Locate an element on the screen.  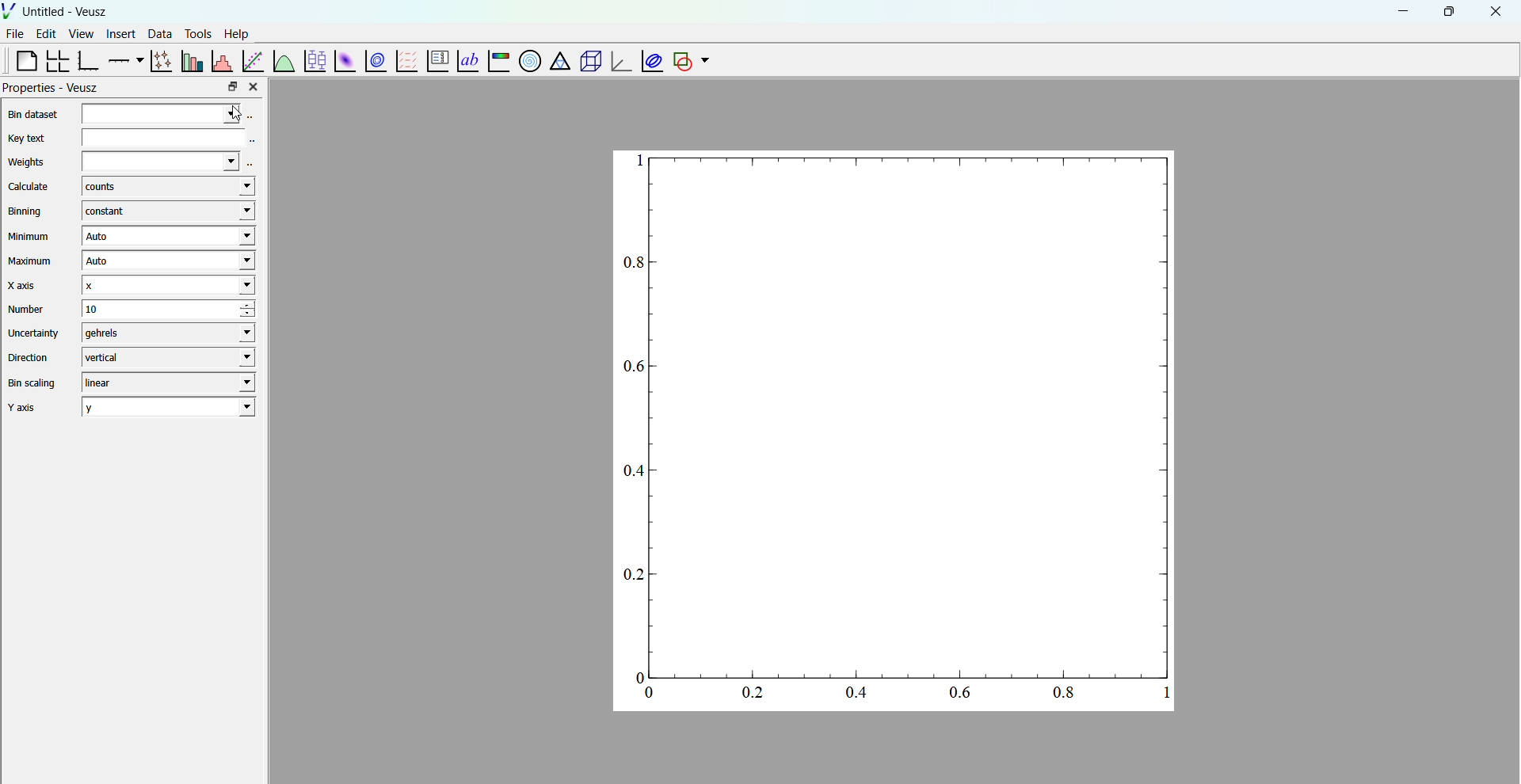
gehrels is located at coordinates (168, 333).